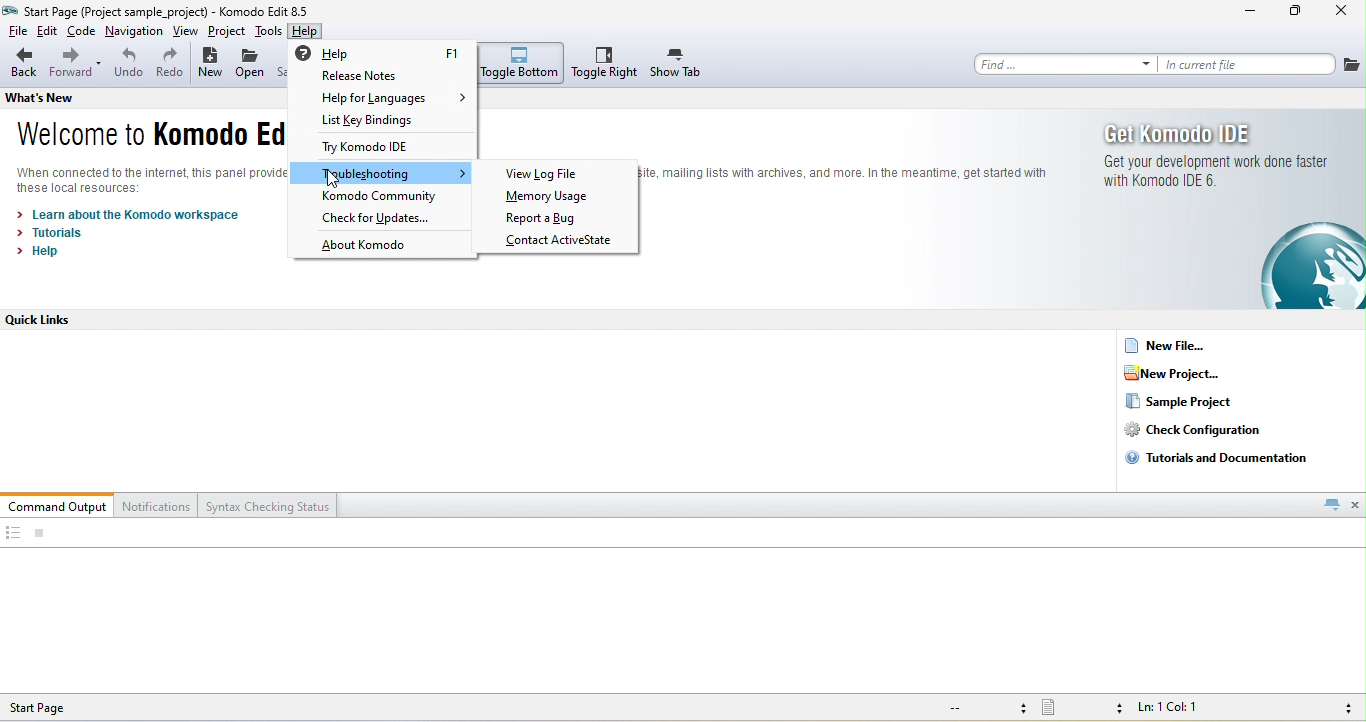  I want to click on in current file, so click(1248, 64).